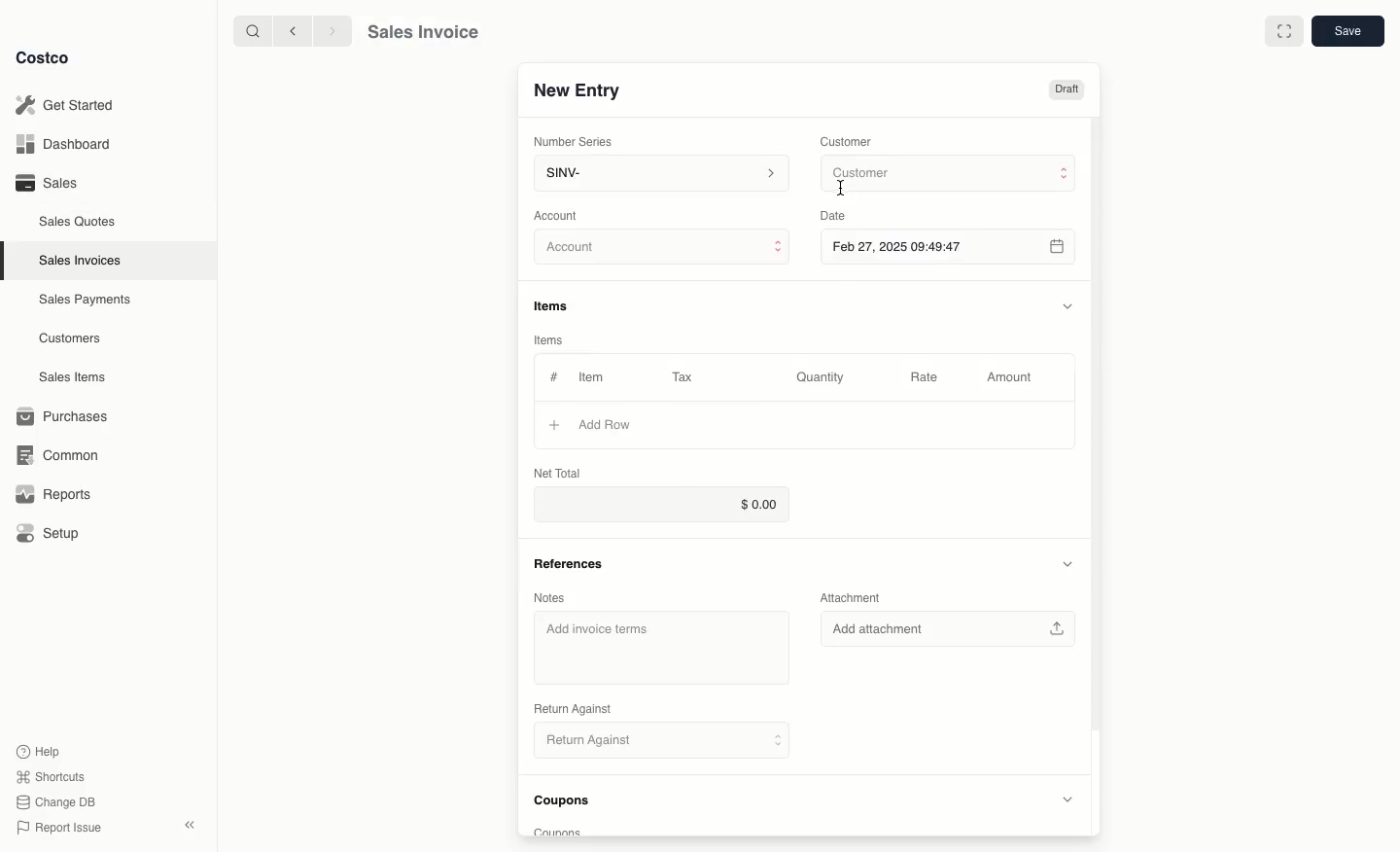 Image resolution: width=1400 pixels, height=852 pixels. What do you see at coordinates (847, 140) in the screenshot?
I see `Customer` at bounding box center [847, 140].